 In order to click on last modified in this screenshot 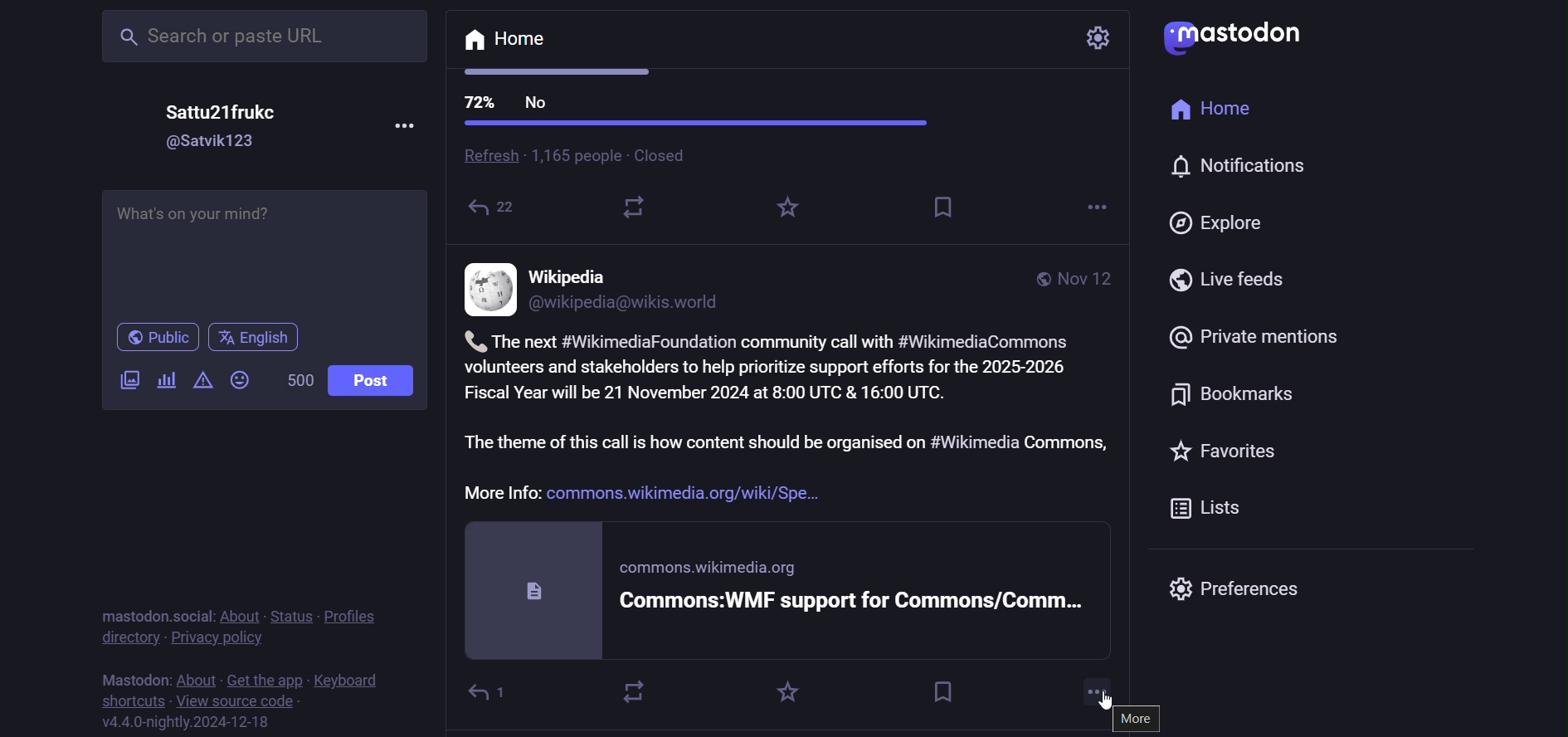, I will do `click(1088, 281)`.